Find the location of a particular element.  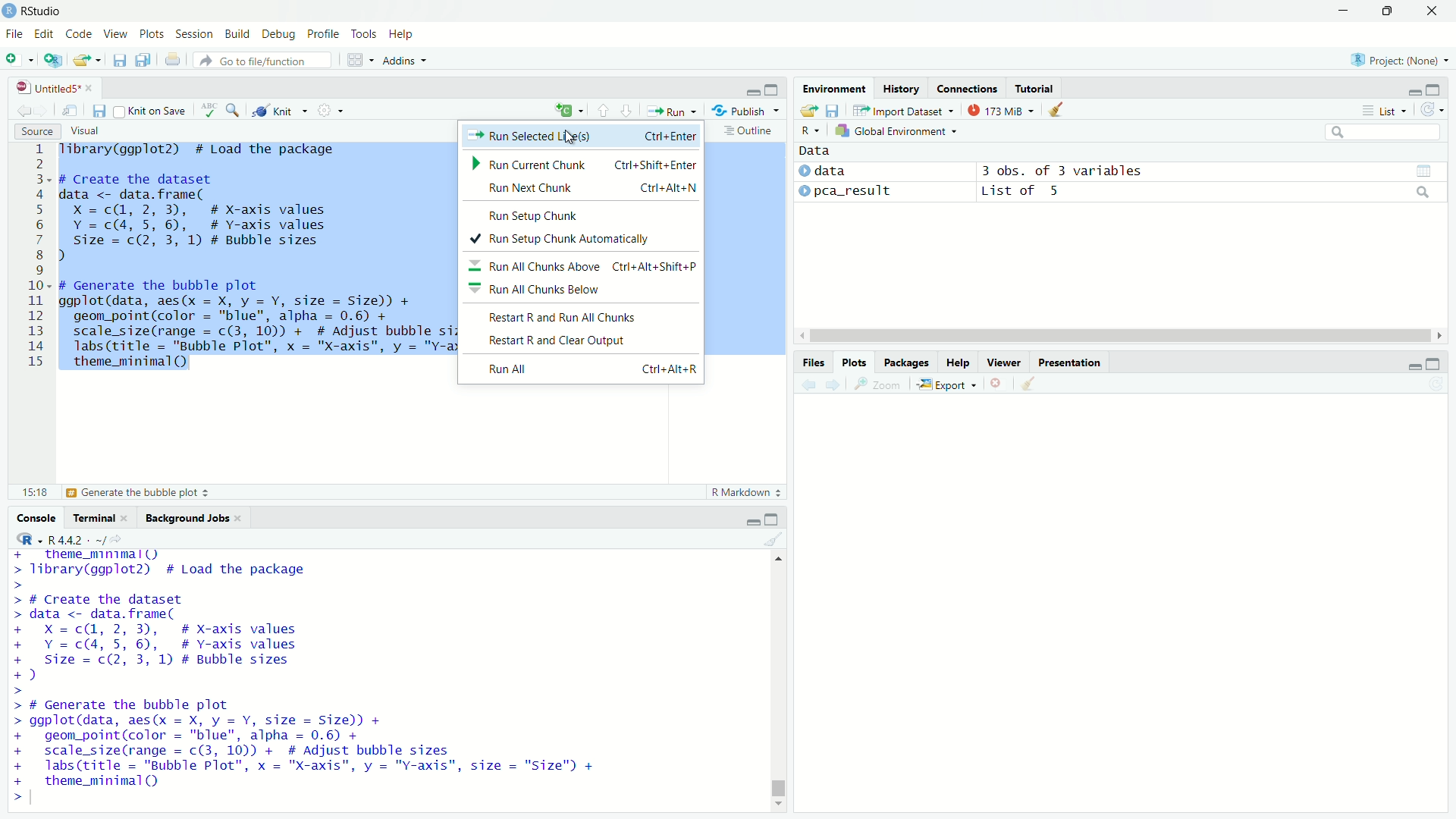

profile is located at coordinates (325, 35).